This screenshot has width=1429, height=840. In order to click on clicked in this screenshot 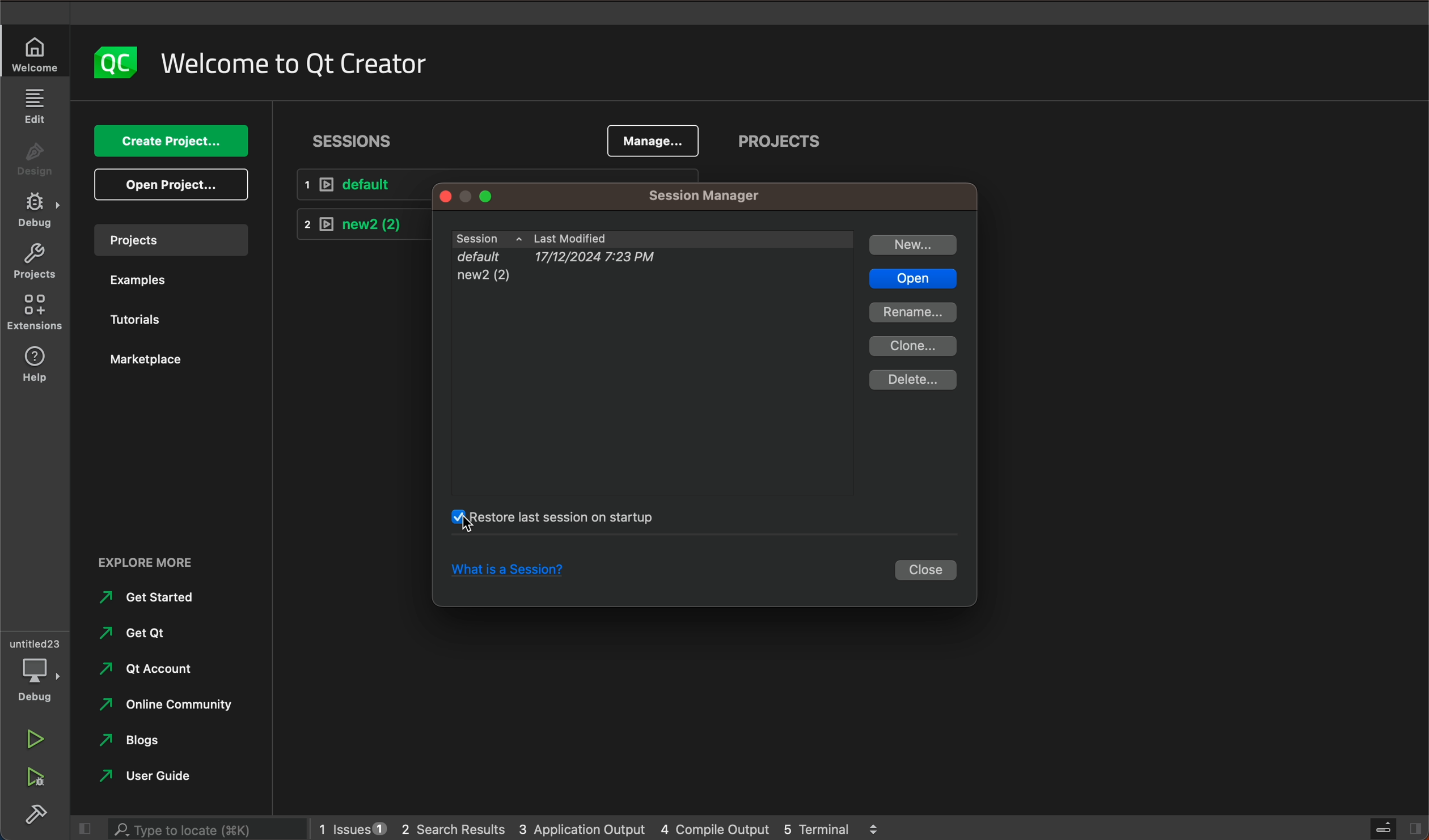, I will do `click(574, 519)`.